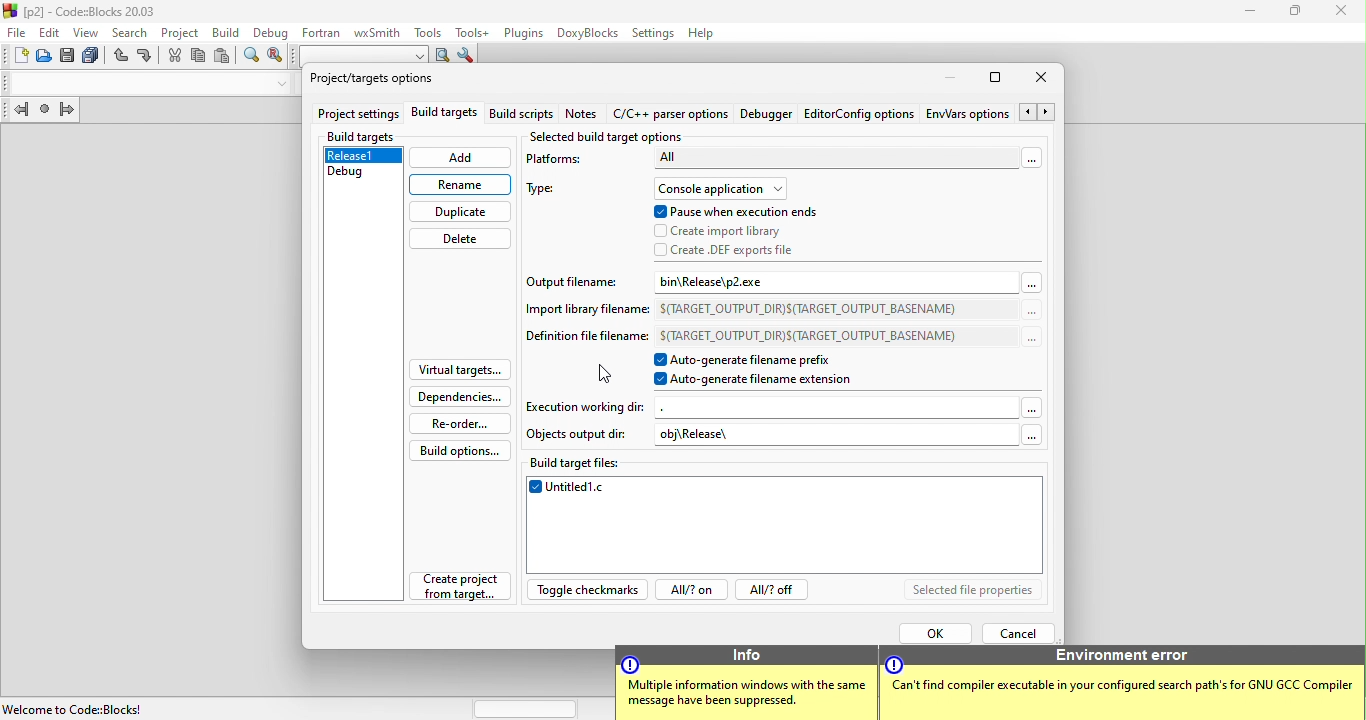 This screenshot has width=1366, height=720. Describe the element at coordinates (673, 115) in the screenshot. I see `c\c++ parser option` at that location.